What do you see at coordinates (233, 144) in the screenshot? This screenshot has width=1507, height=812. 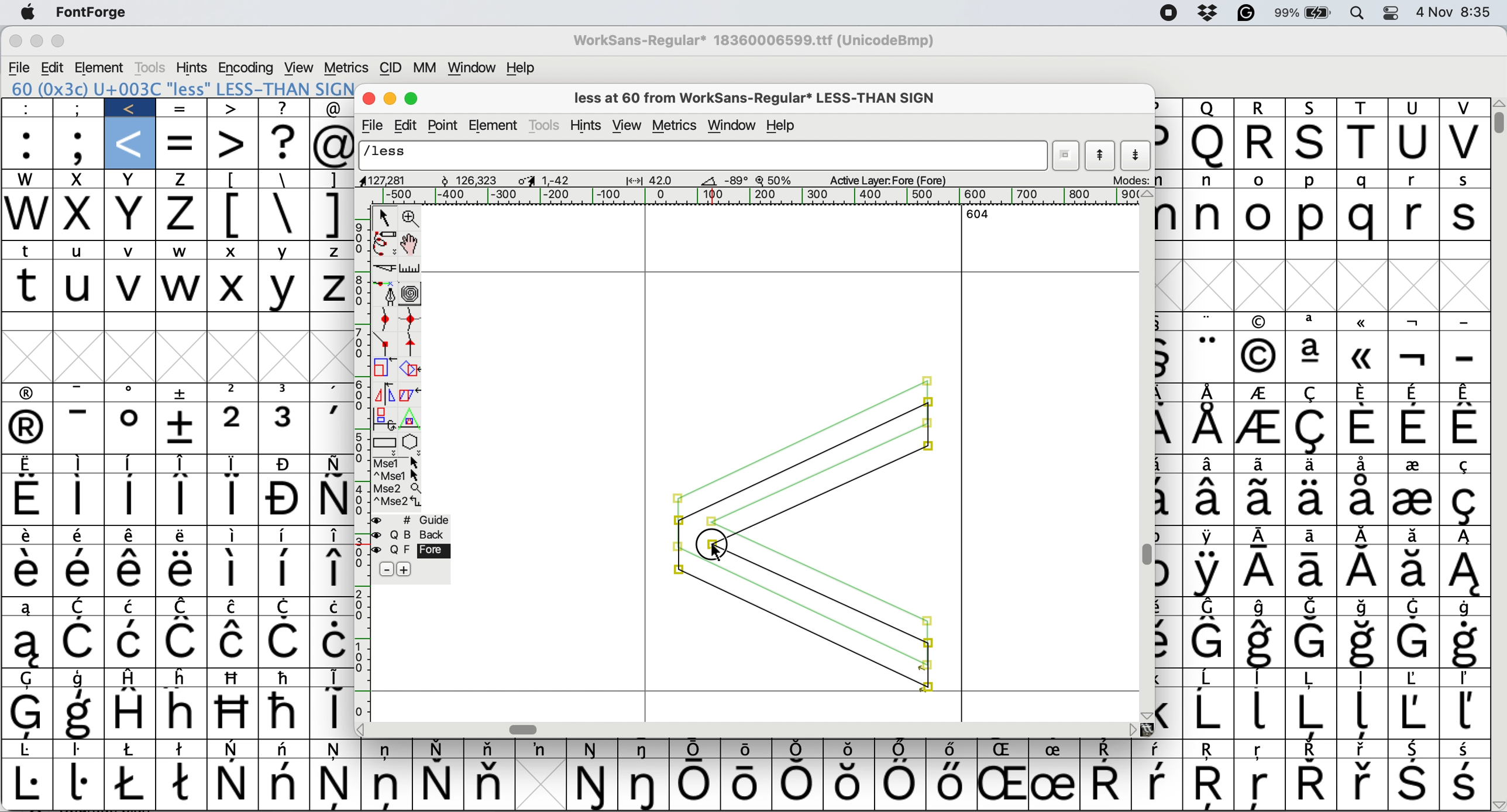 I see `>` at bounding box center [233, 144].